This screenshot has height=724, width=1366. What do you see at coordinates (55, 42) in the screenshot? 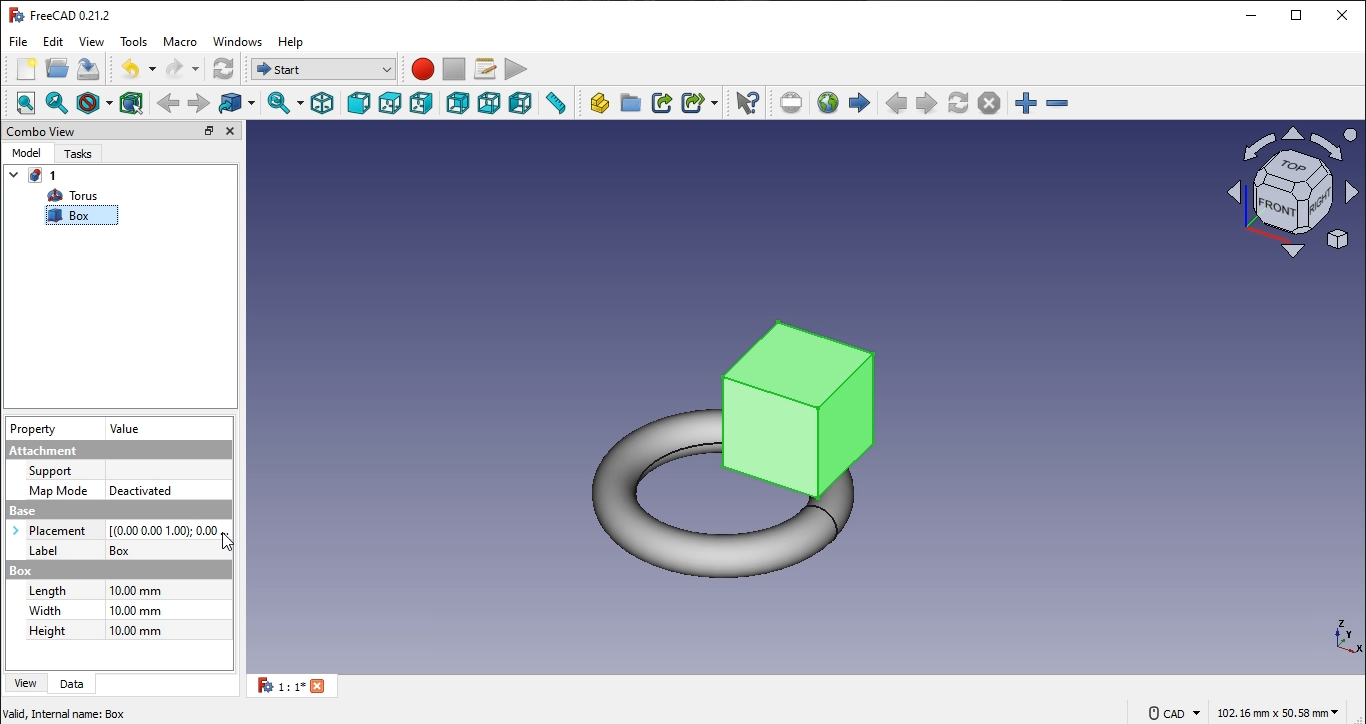
I see `edit` at bounding box center [55, 42].